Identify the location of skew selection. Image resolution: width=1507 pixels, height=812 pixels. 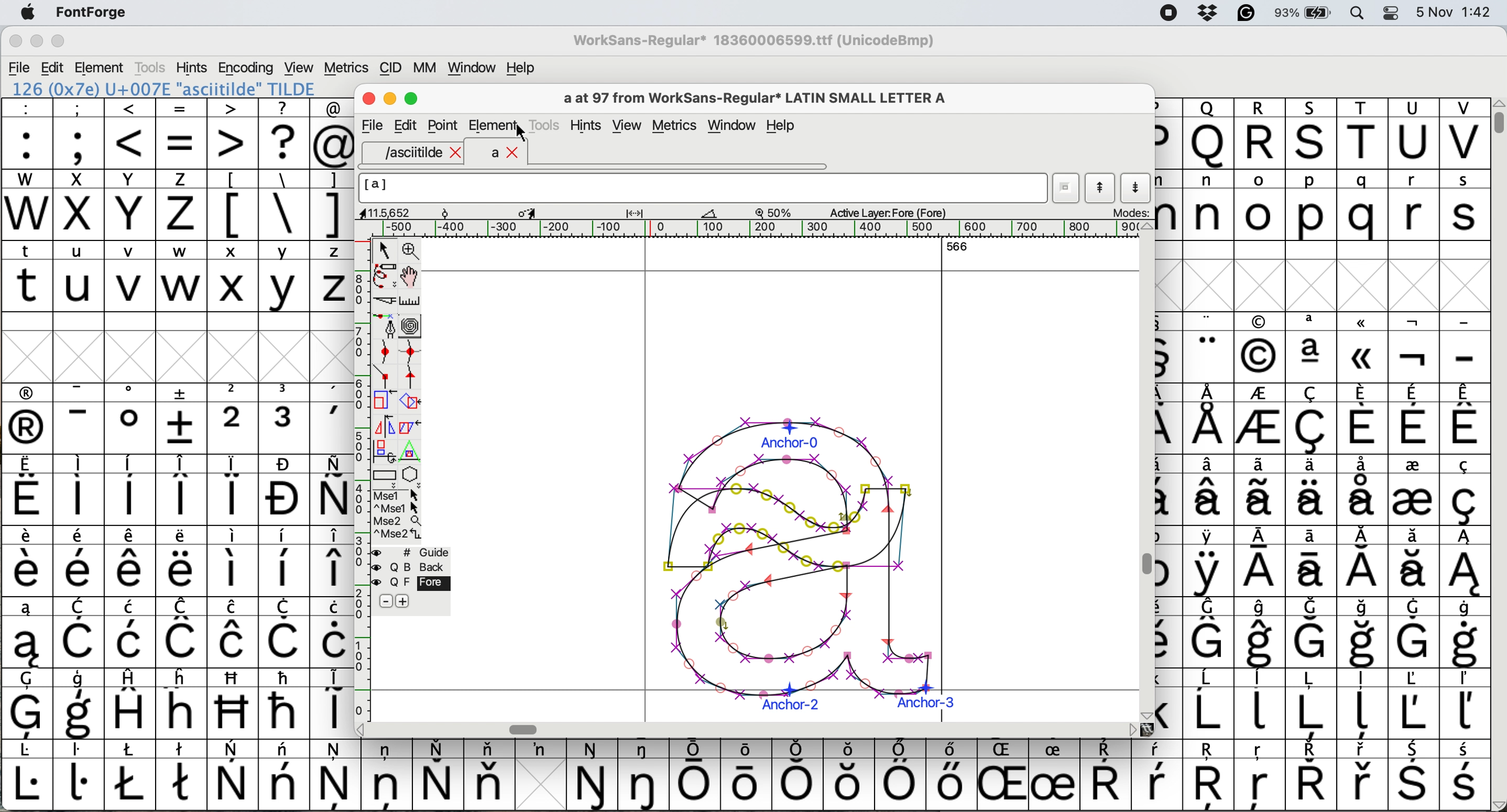
(413, 429).